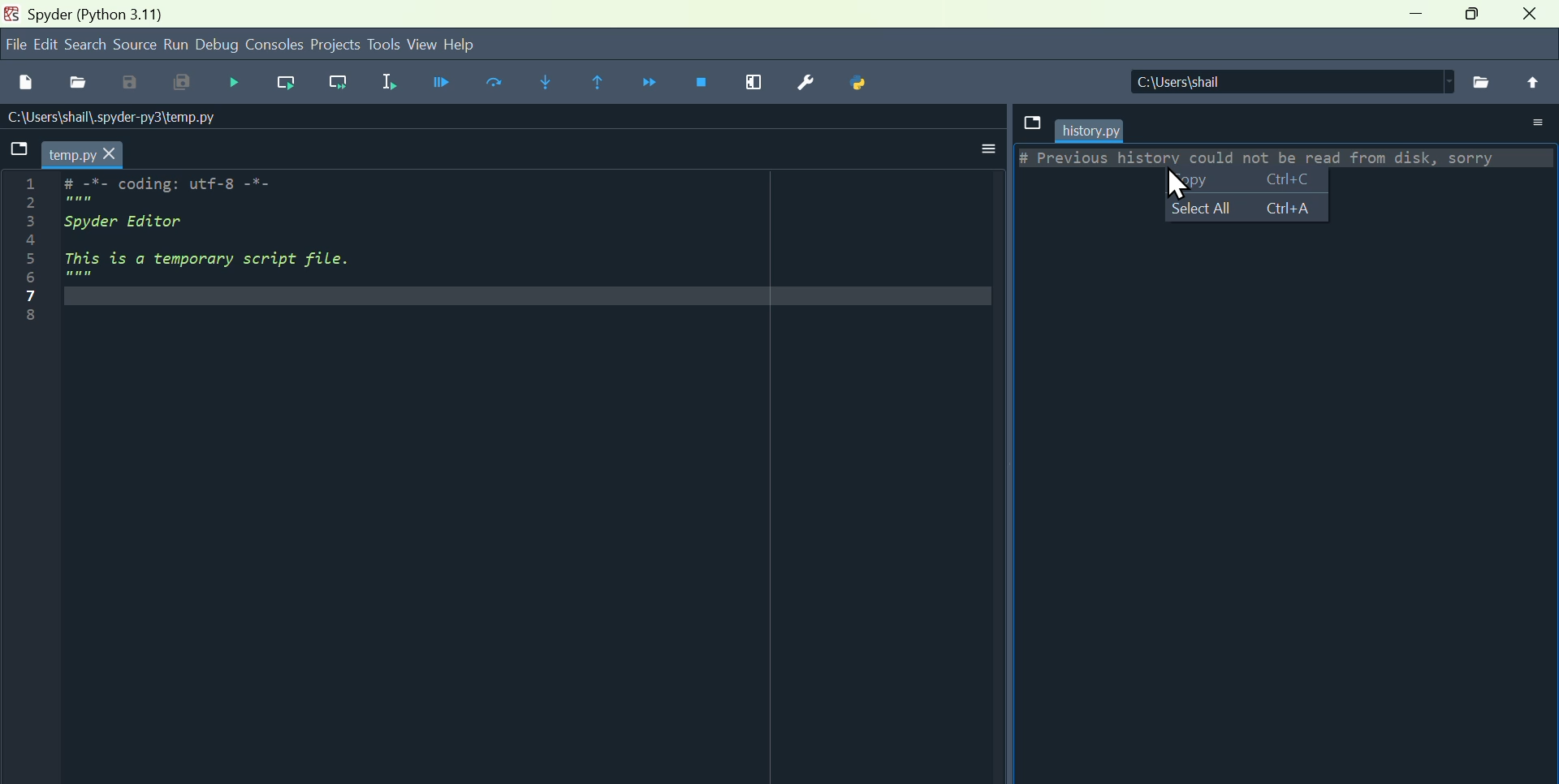  Describe the element at coordinates (527, 241) in the screenshot. I see `# -*- coding: utf-8 -*- """ Spyder Editor  This is a temporary script file. """` at that location.